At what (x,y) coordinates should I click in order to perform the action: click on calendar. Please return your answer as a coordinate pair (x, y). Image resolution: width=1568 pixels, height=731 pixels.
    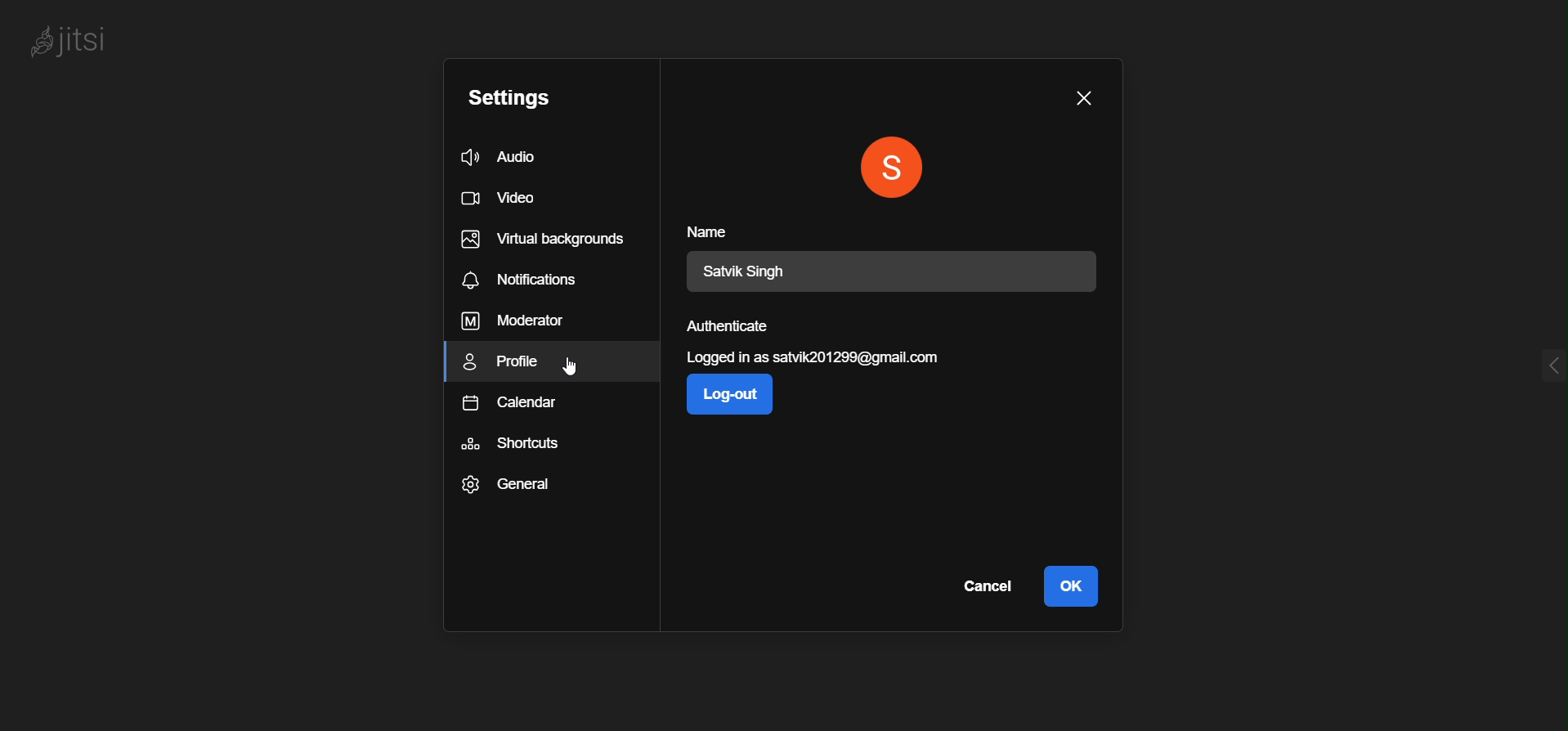
    Looking at the image, I should click on (508, 406).